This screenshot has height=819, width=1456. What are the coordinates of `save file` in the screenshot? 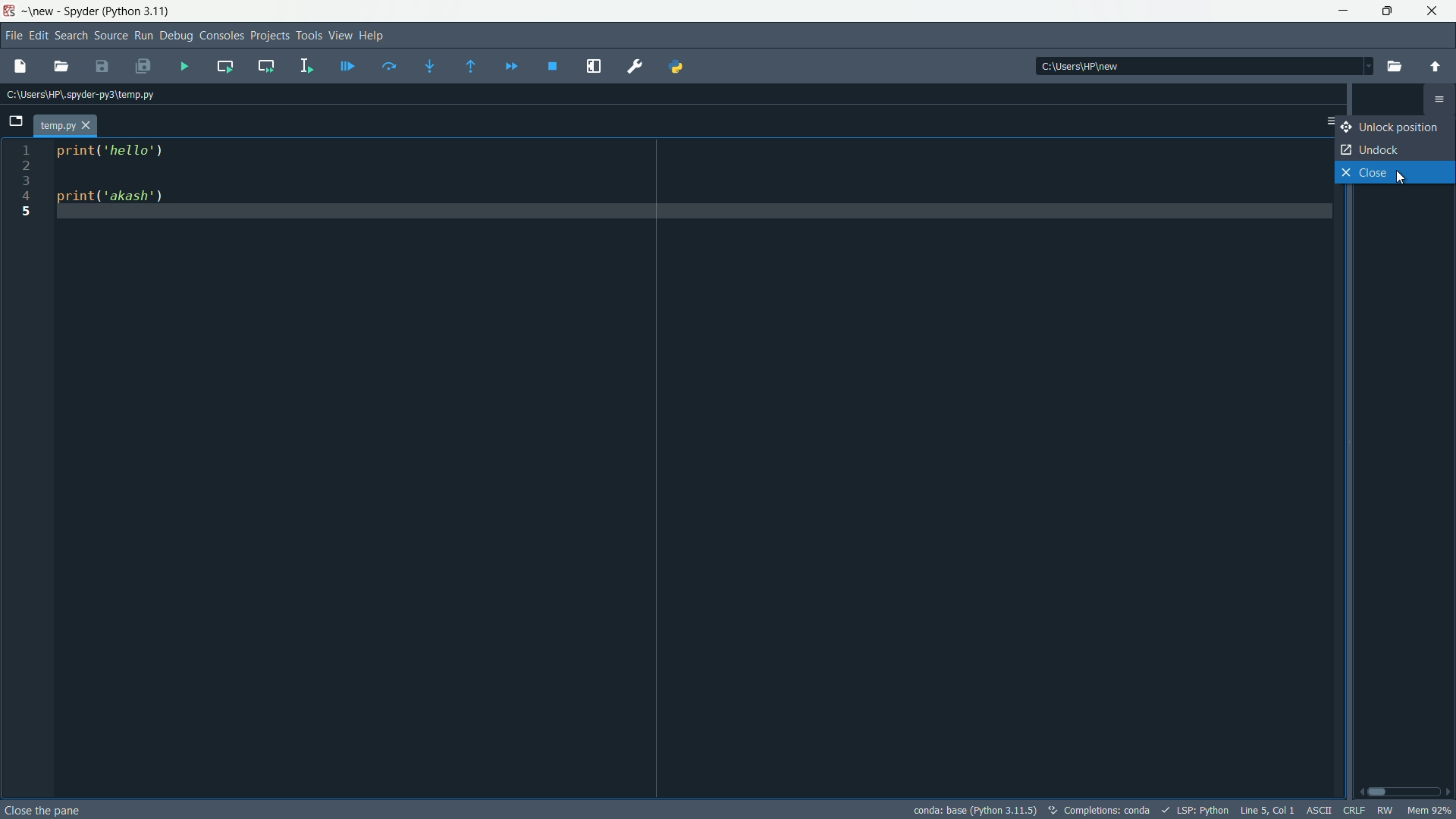 It's located at (100, 67).